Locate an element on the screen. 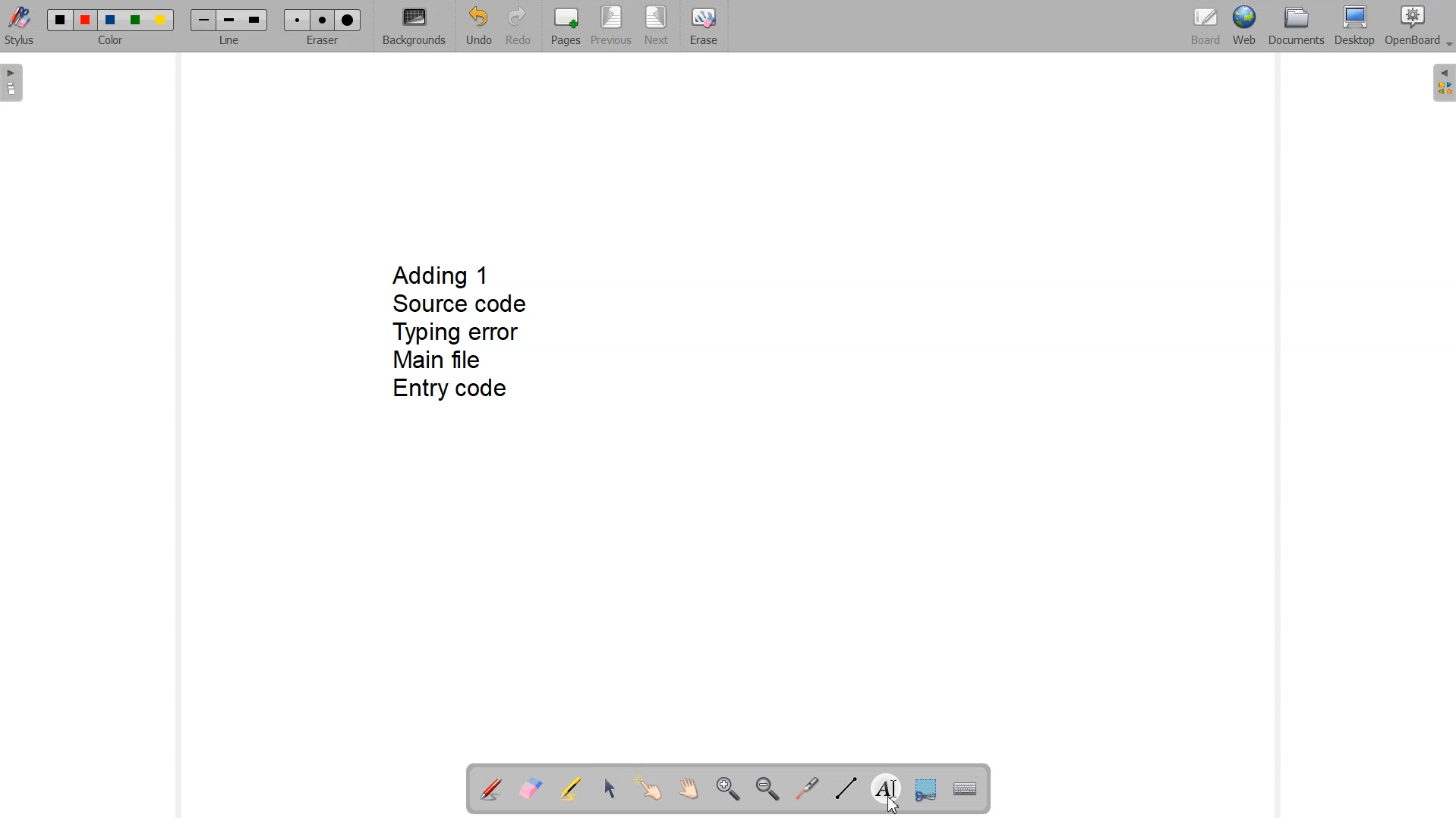  Select and modify objects is located at coordinates (610, 788).